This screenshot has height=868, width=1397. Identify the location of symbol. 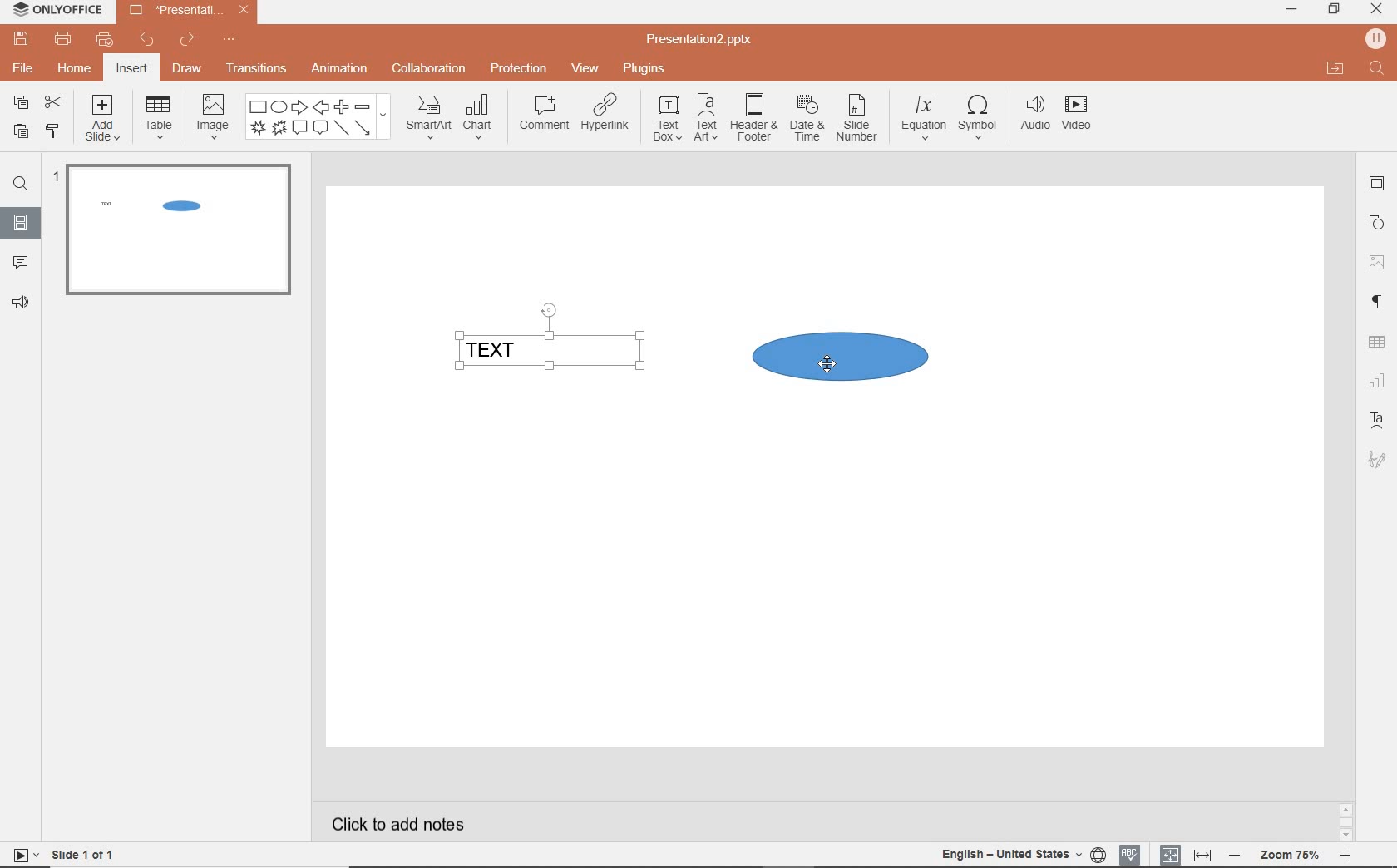
(975, 121).